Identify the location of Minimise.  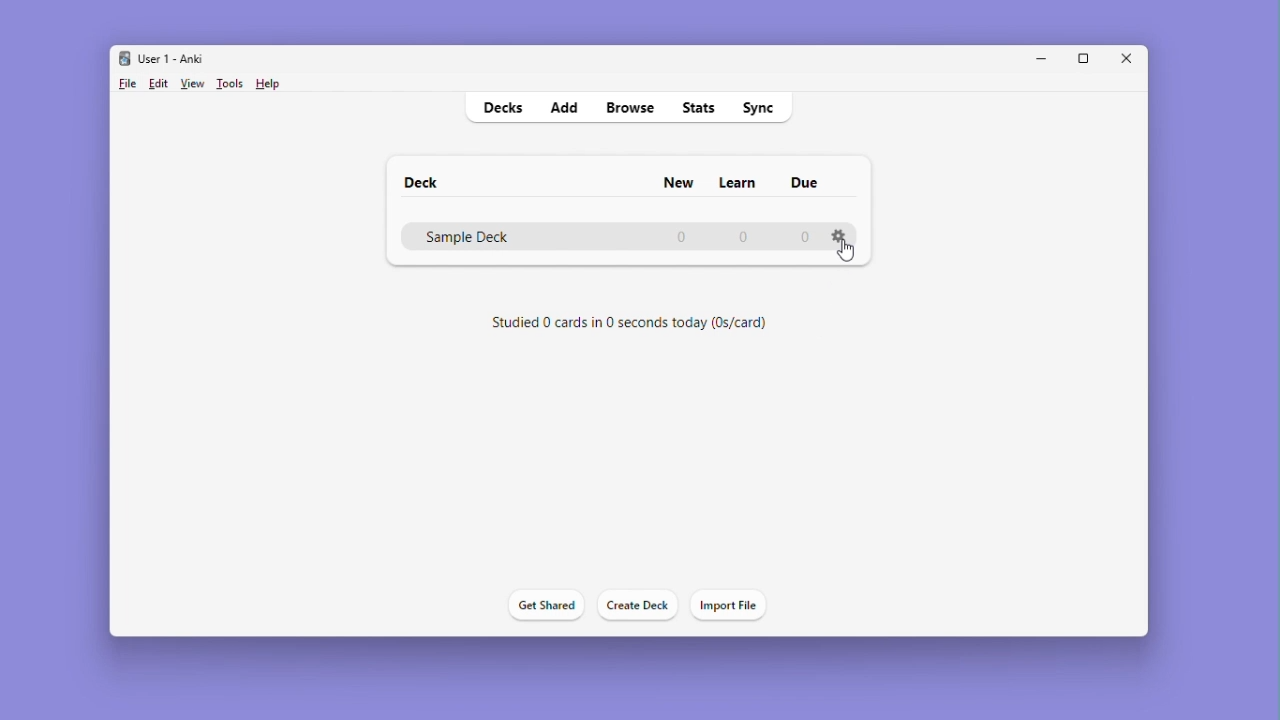
(1042, 58).